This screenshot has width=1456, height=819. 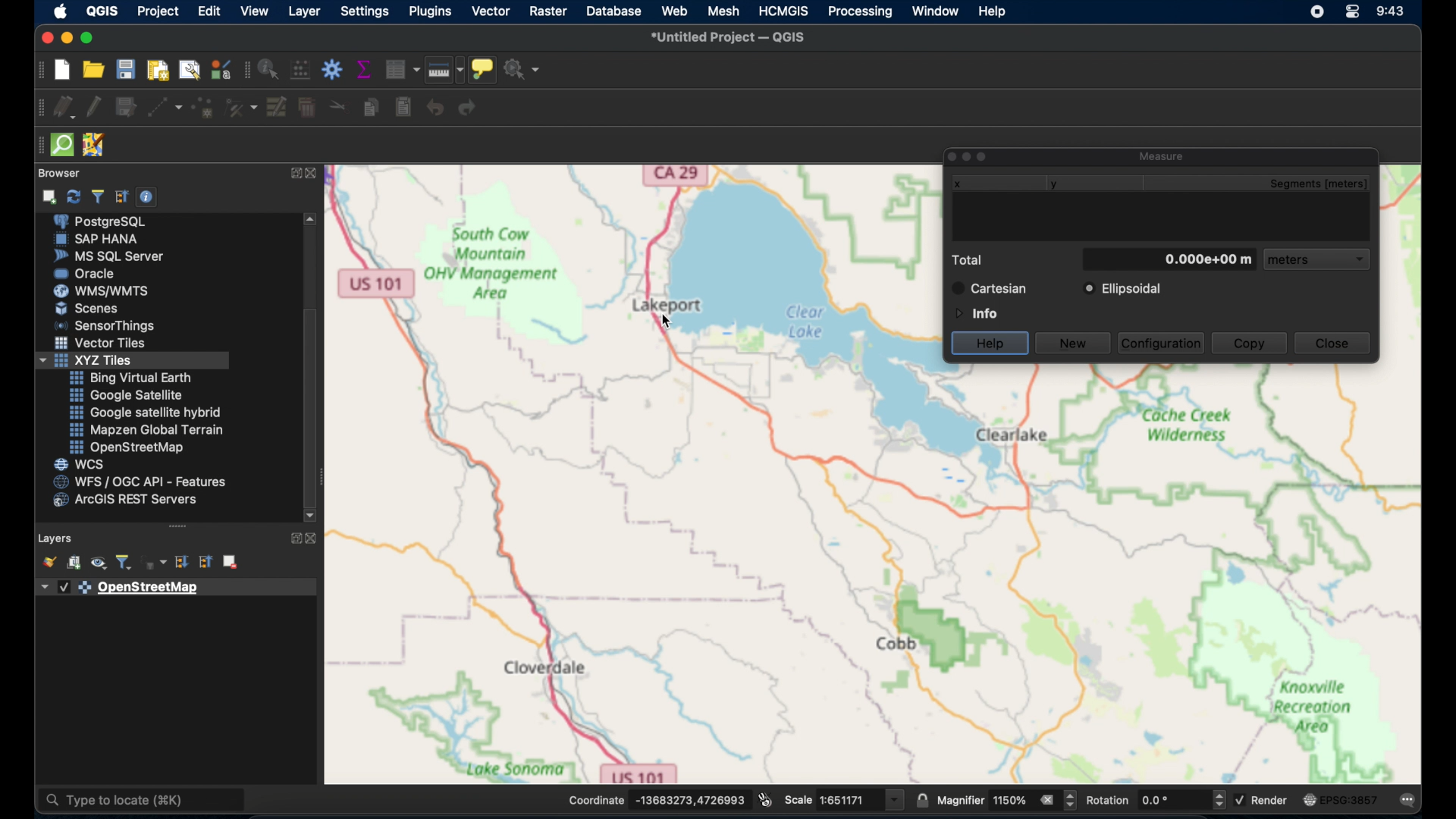 What do you see at coordinates (331, 69) in the screenshot?
I see `toolbox` at bounding box center [331, 69].